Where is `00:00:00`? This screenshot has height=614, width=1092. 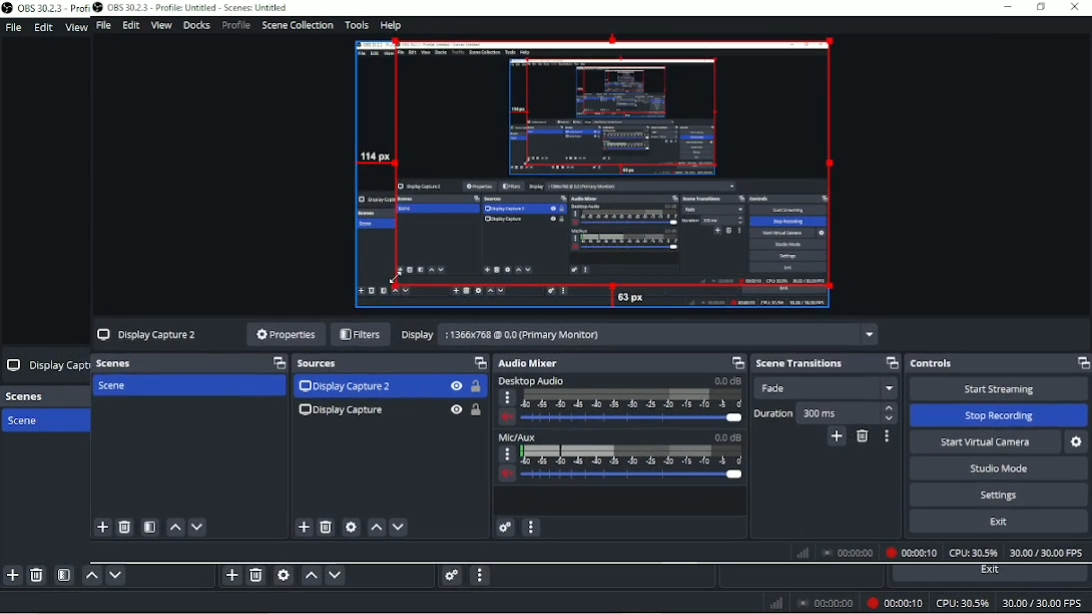 00:00:00 is located at coordinates (825, 603).